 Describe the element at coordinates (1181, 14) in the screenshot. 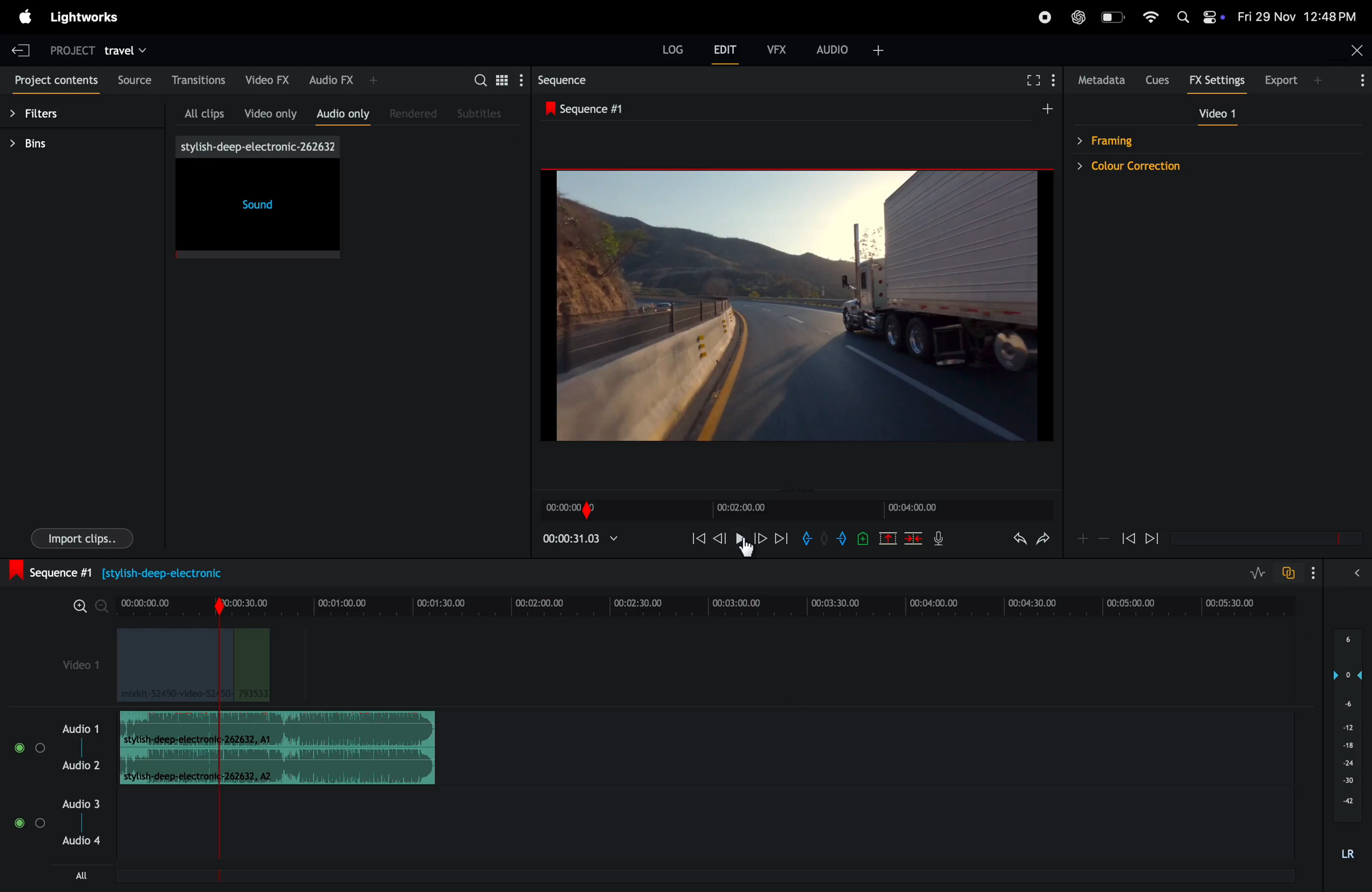

I see `Spotlight.` at that location.